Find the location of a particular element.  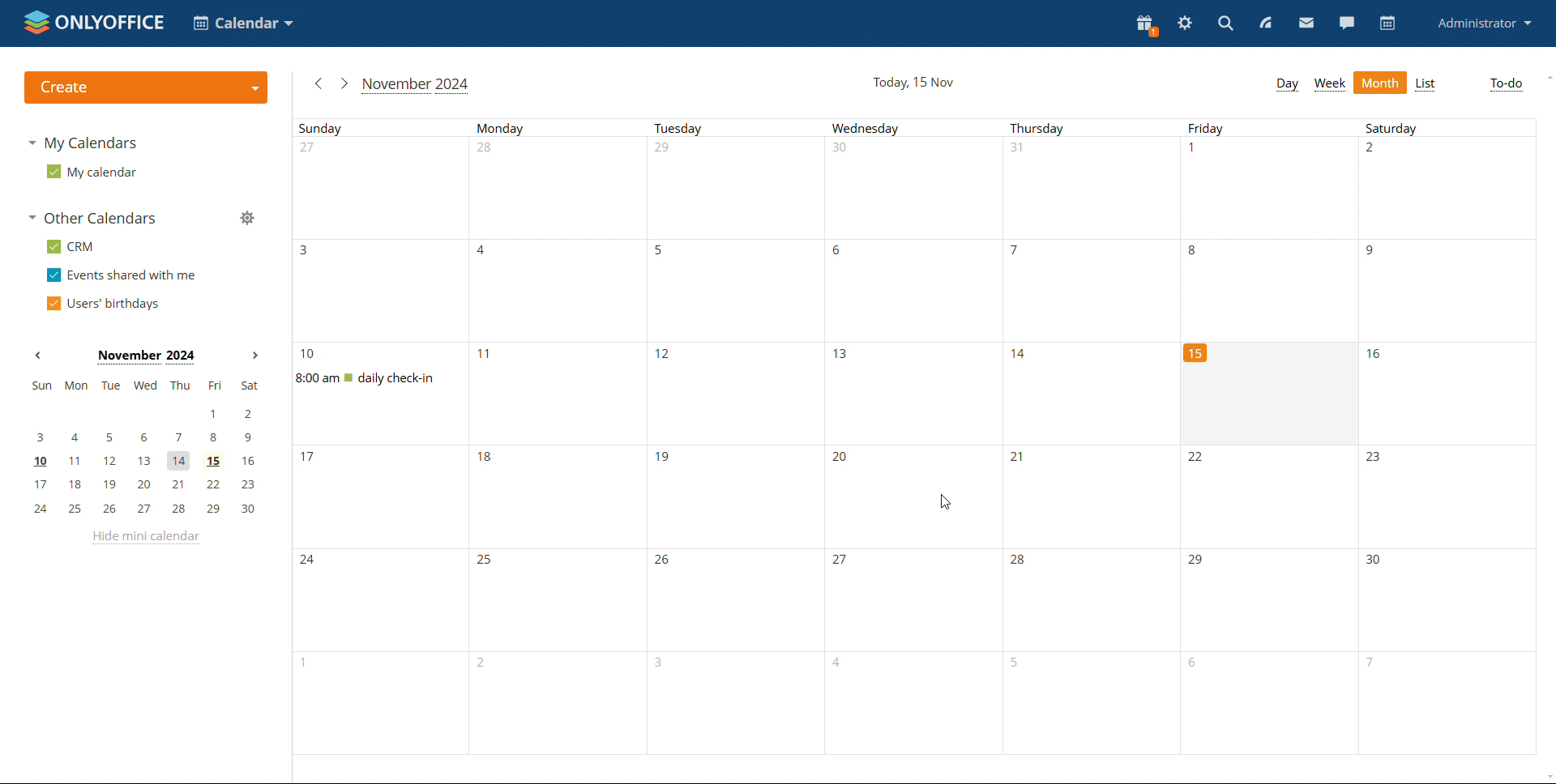

cursor is located at coordinates (943, 503).